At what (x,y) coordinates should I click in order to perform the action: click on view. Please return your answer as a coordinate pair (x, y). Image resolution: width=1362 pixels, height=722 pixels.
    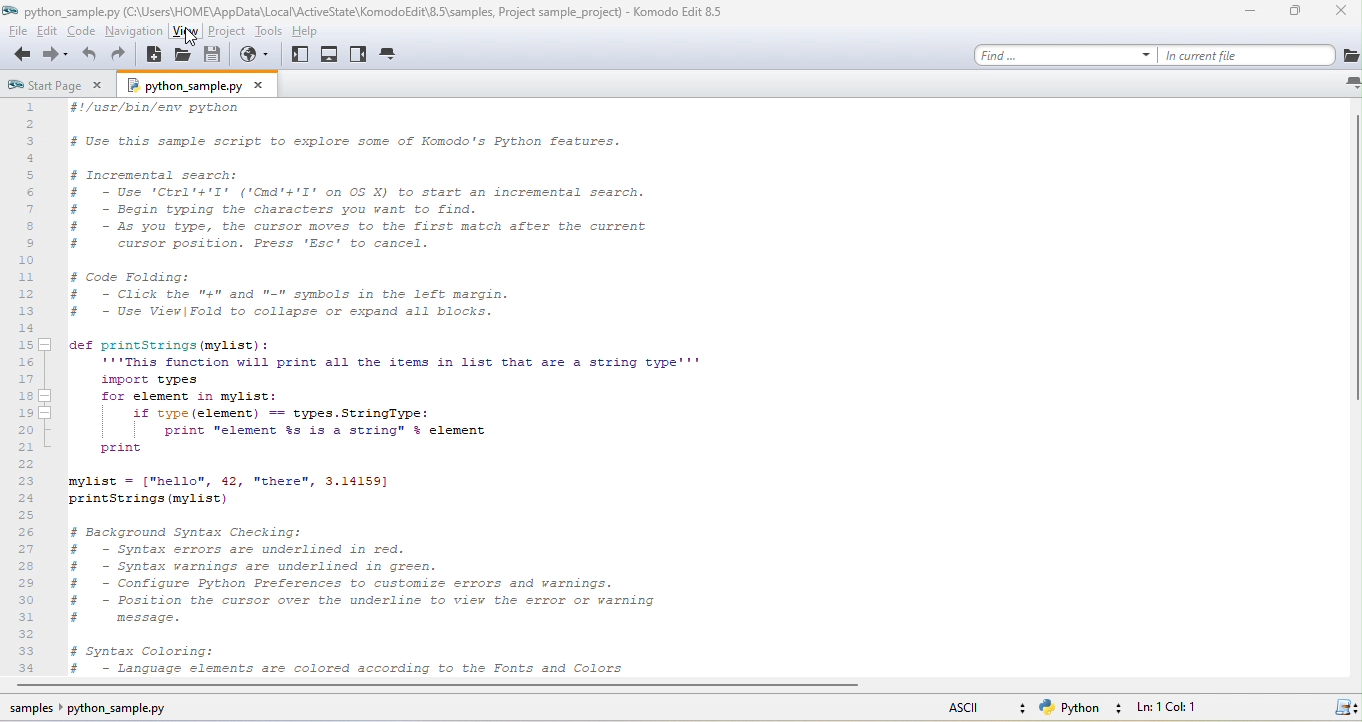
    Looking at the image, I should click on (189, 34).